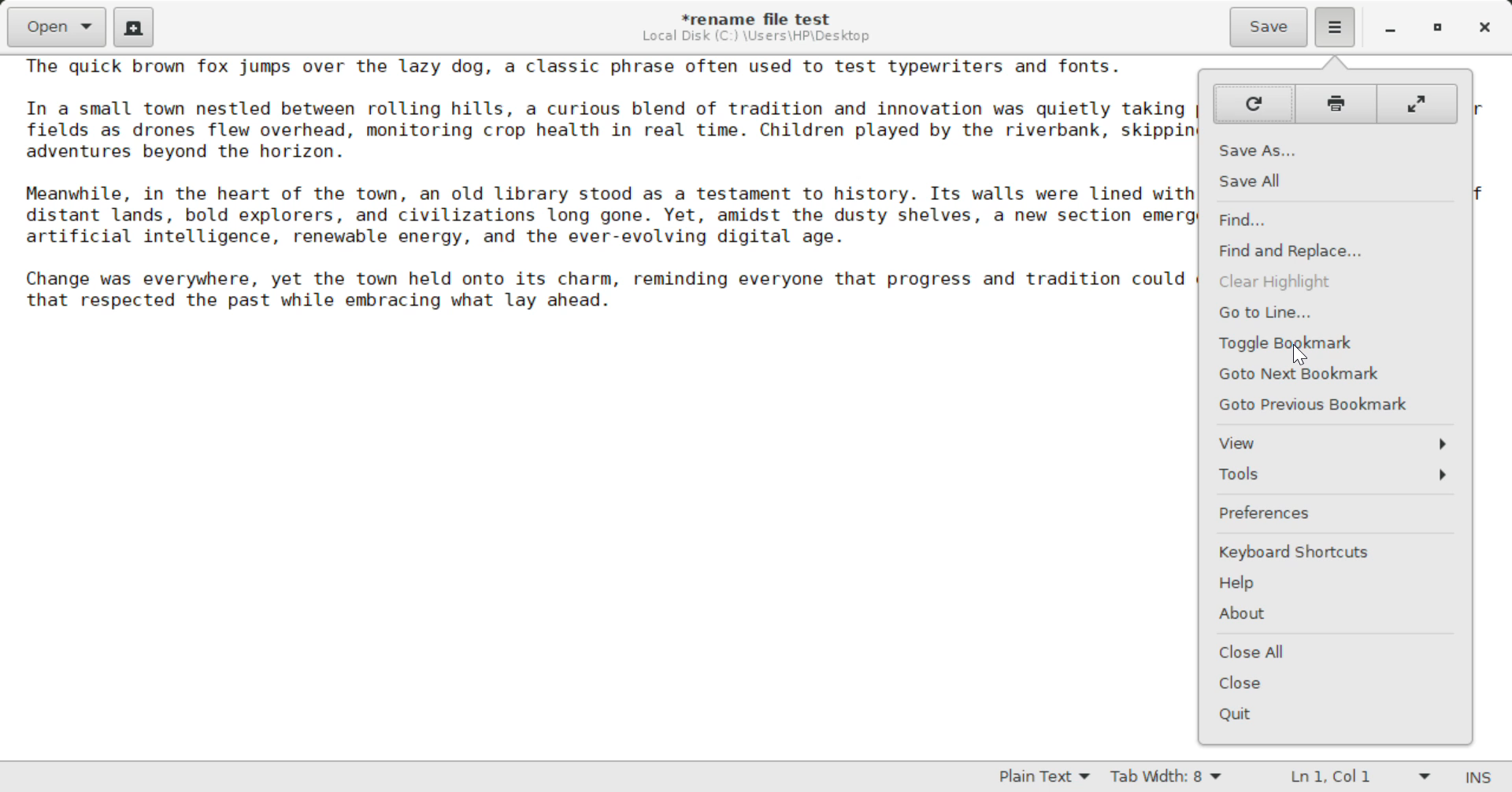 The height and width of the screenshot is (792, 1512). What do you see at coordinates (1440, 30) in the screenshot?
I see `Minimize` at bounding box center [1440, 30].